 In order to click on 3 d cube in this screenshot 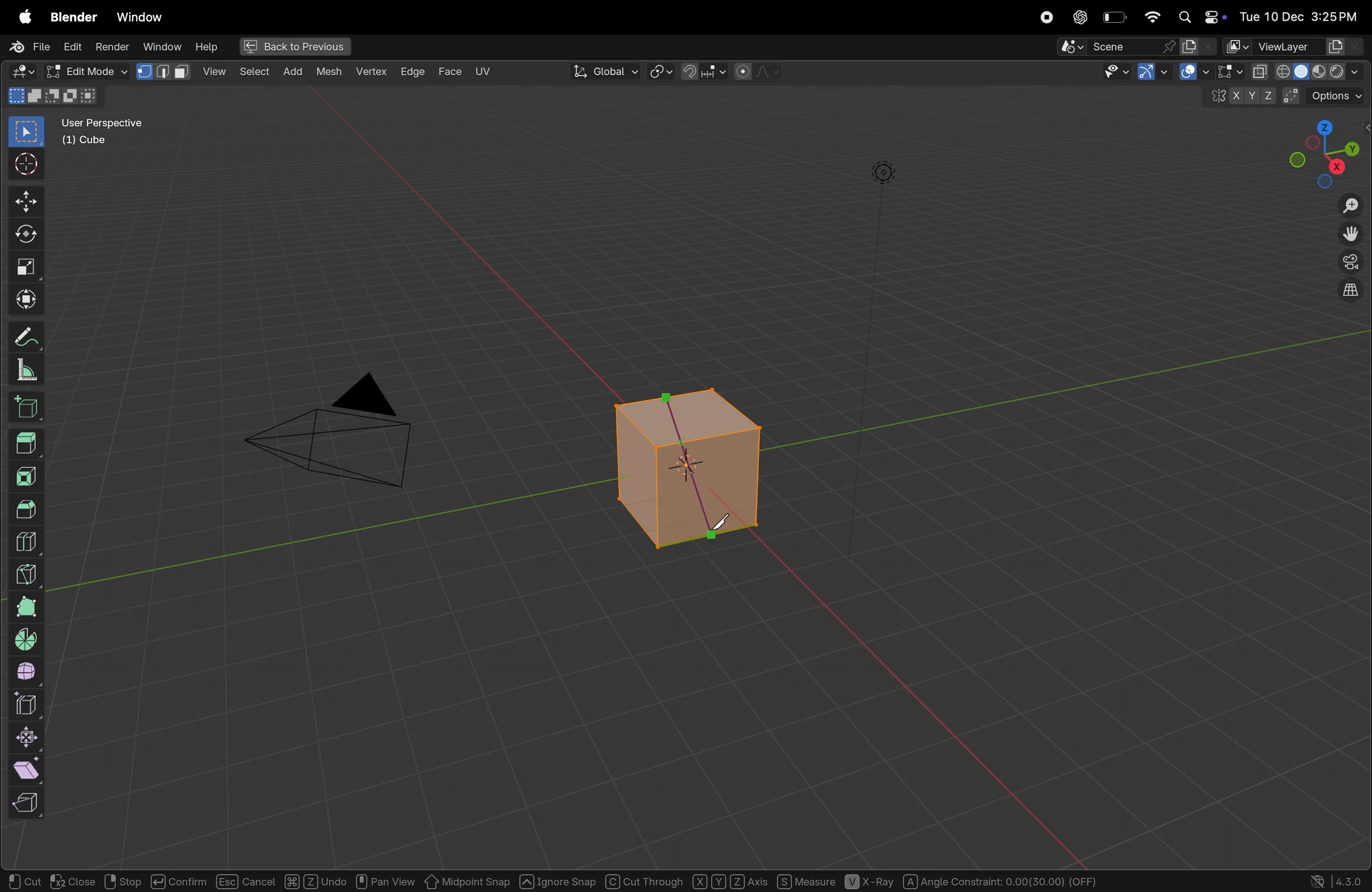, I will do `click(691, 468)`.